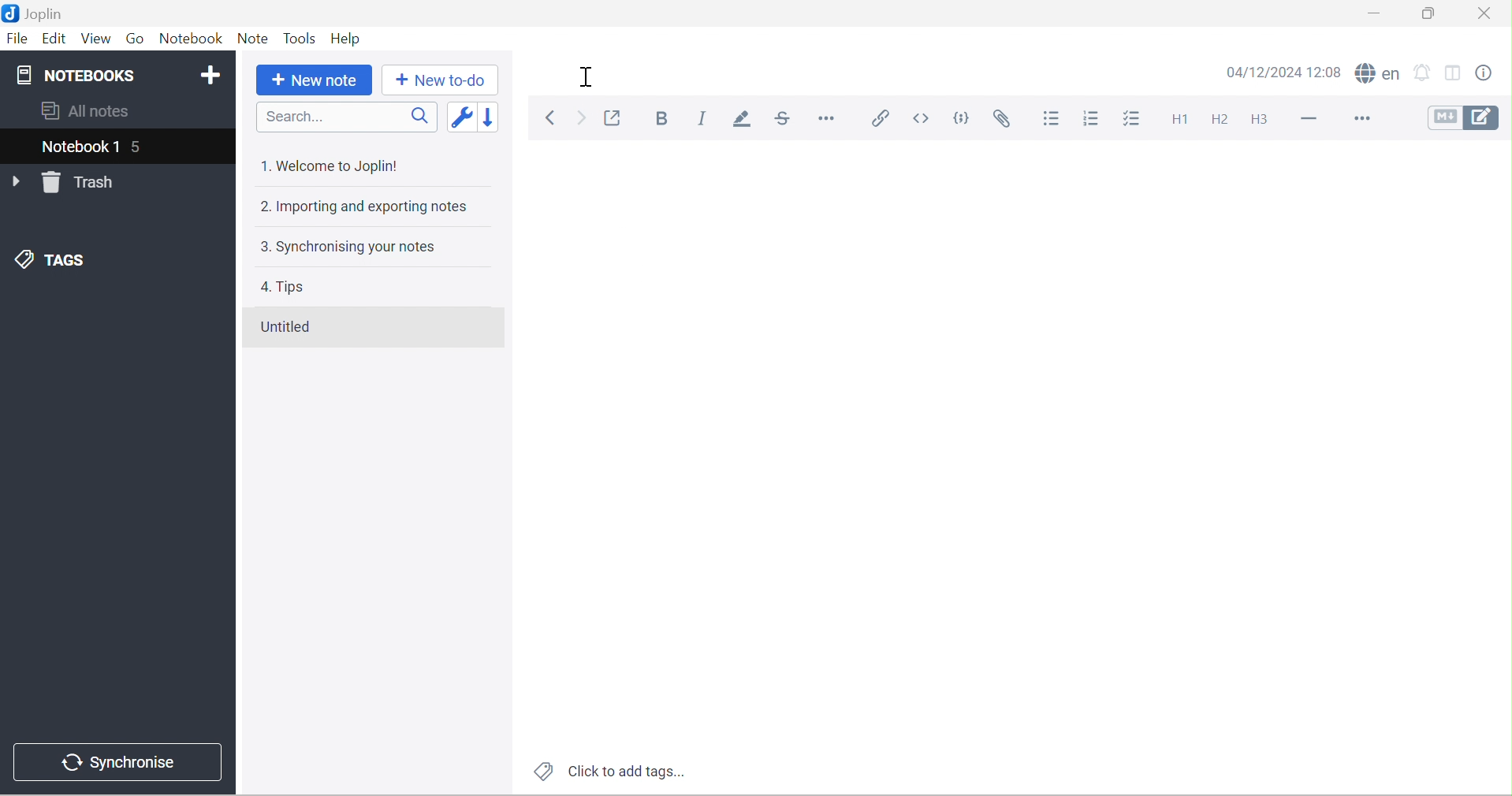 Image resolution: width=1512 pixels, height=796 pixels. Describe the element at coordinates (1223, 119) in the screenshot. I see `Heading 2` at that location.